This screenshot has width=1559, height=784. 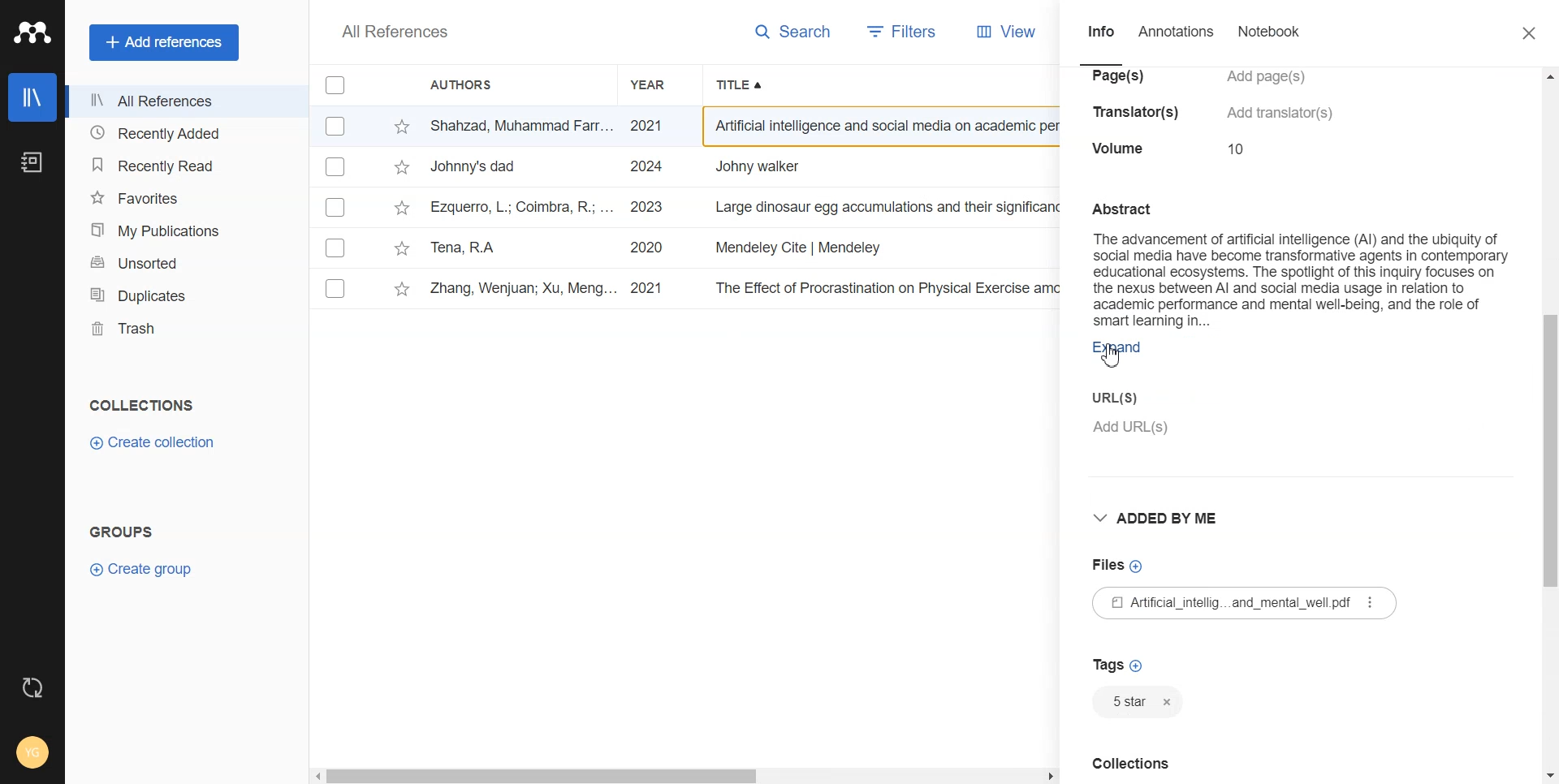 What do you see at coordinates (402, 166) in the screenshot?
I see `star` at bounding box center [402, 166].